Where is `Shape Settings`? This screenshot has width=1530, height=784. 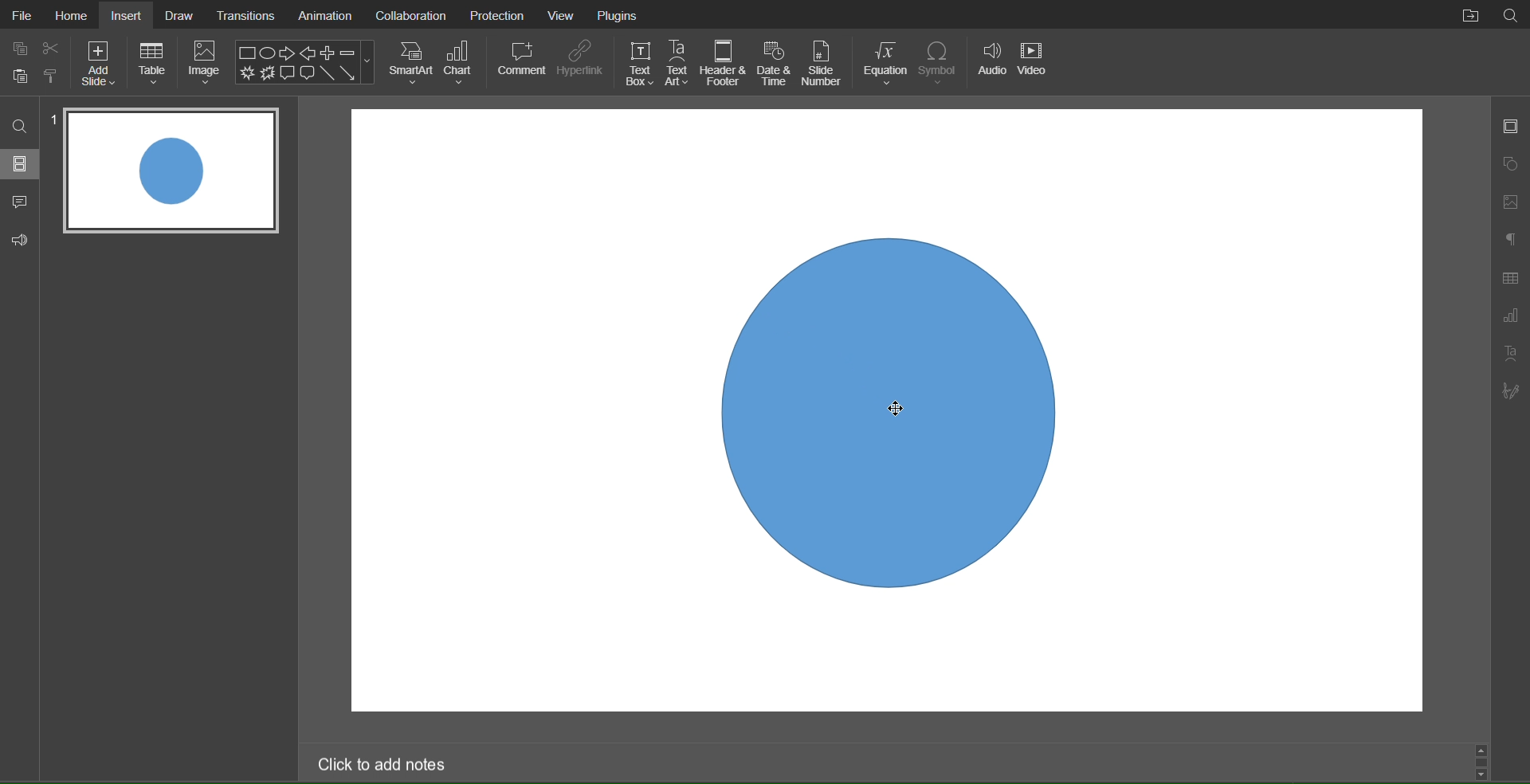 Shape Settings is located at coordinates (1509, 165).